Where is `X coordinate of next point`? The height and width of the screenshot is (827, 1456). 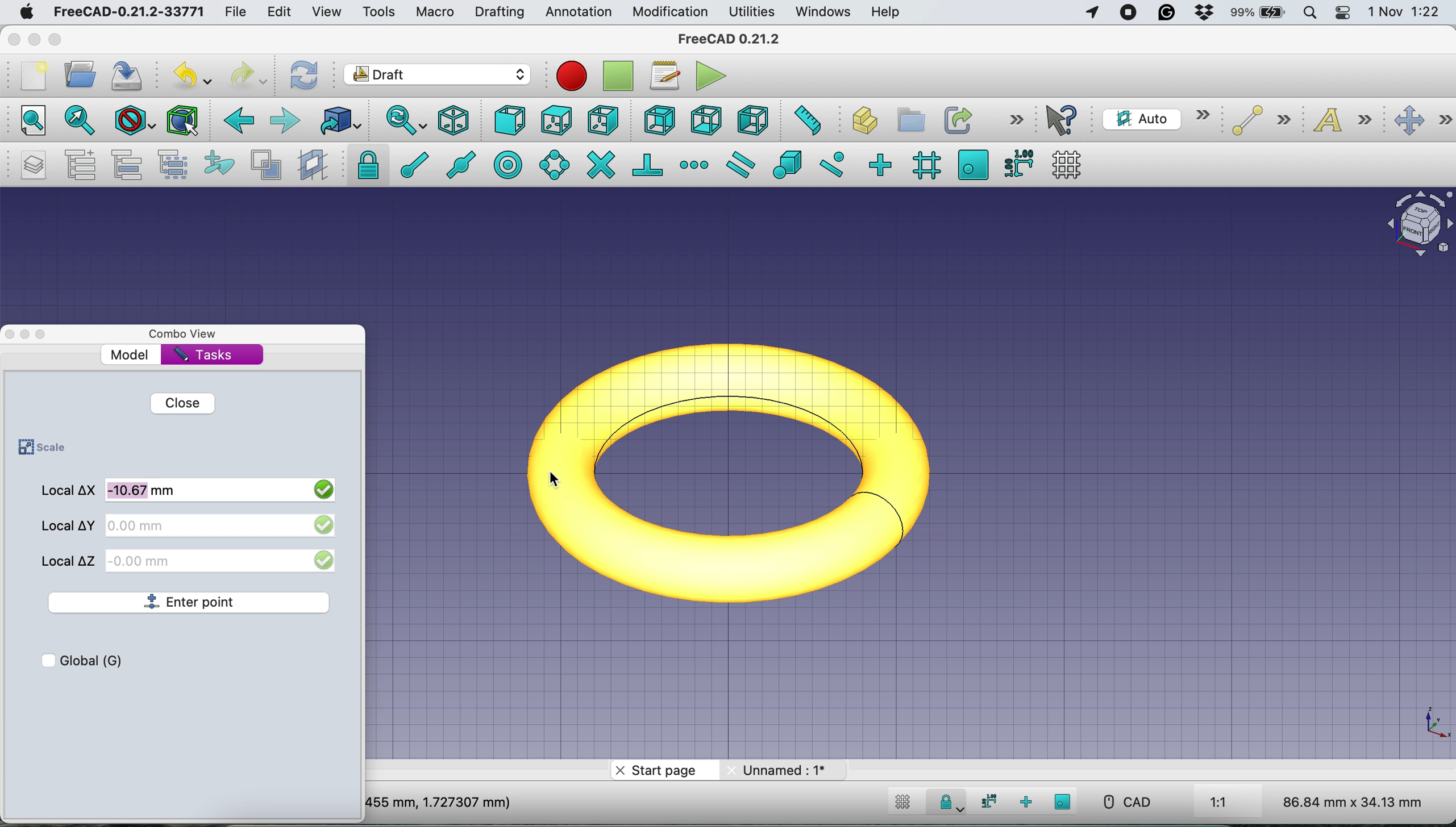 X coordinate of next point is located at coordinates (223, 488).